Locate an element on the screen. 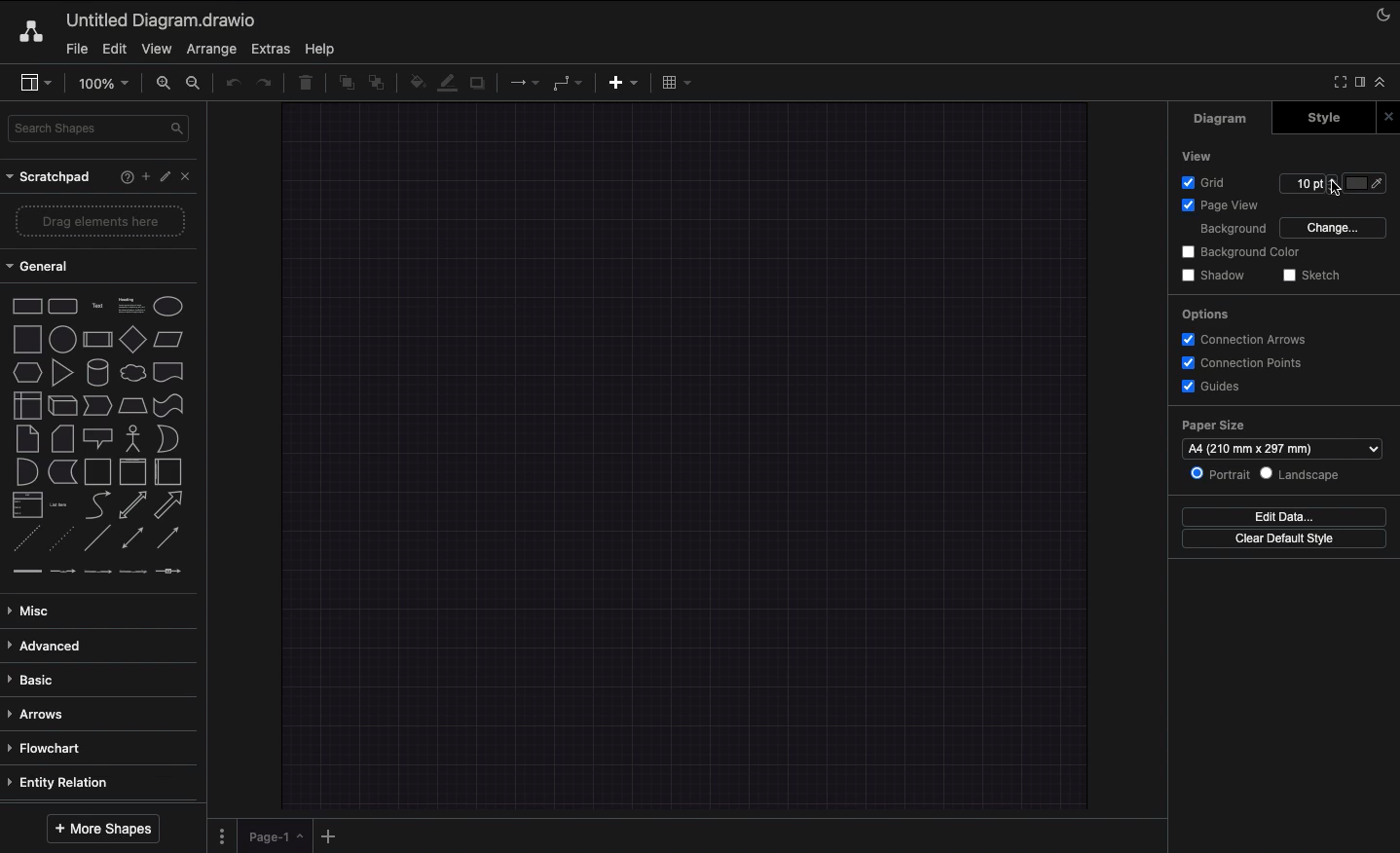  Add is located at coordinates (142, 176).